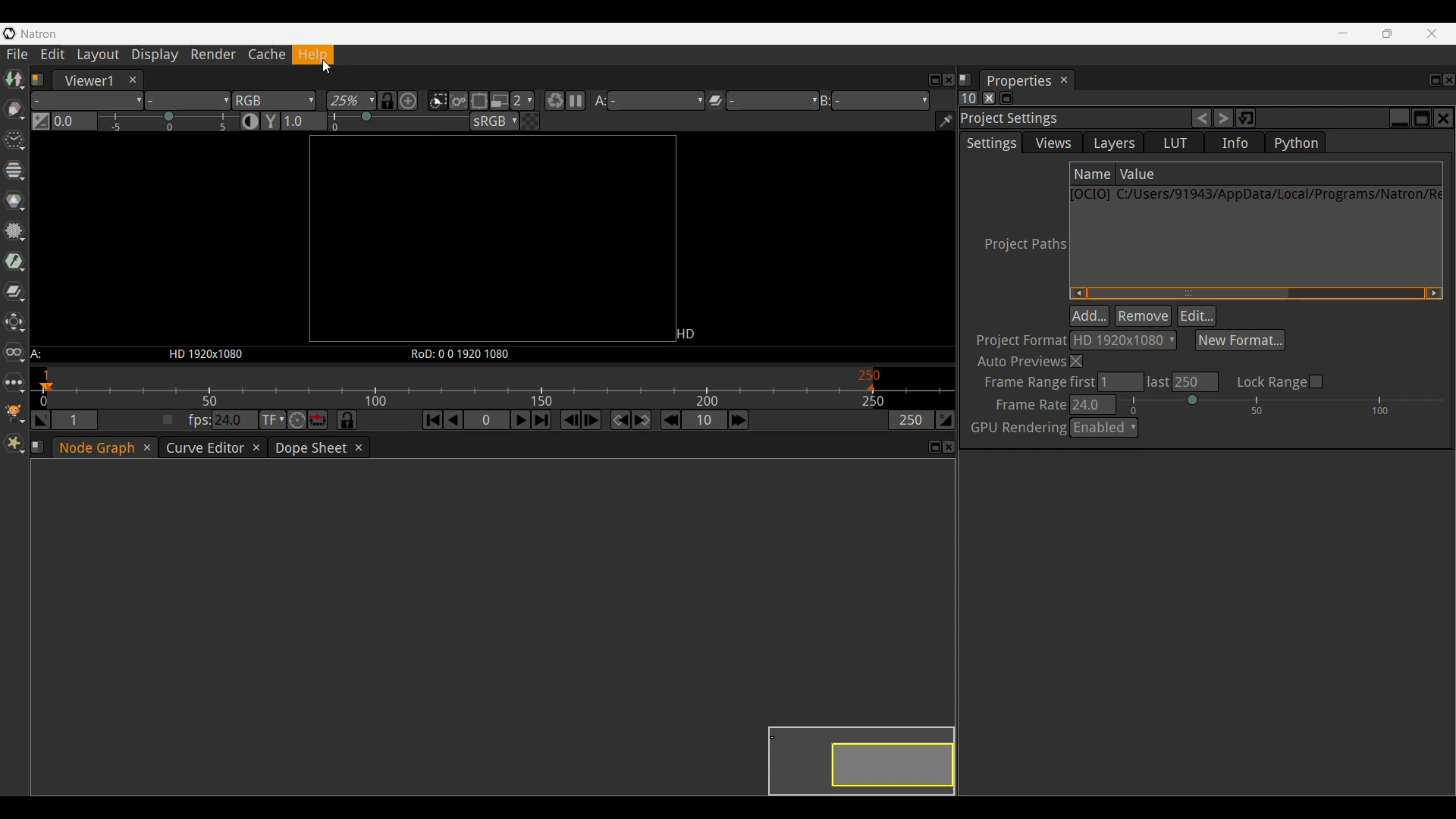  I want to click on Close projects settings, so click(1444, 118).